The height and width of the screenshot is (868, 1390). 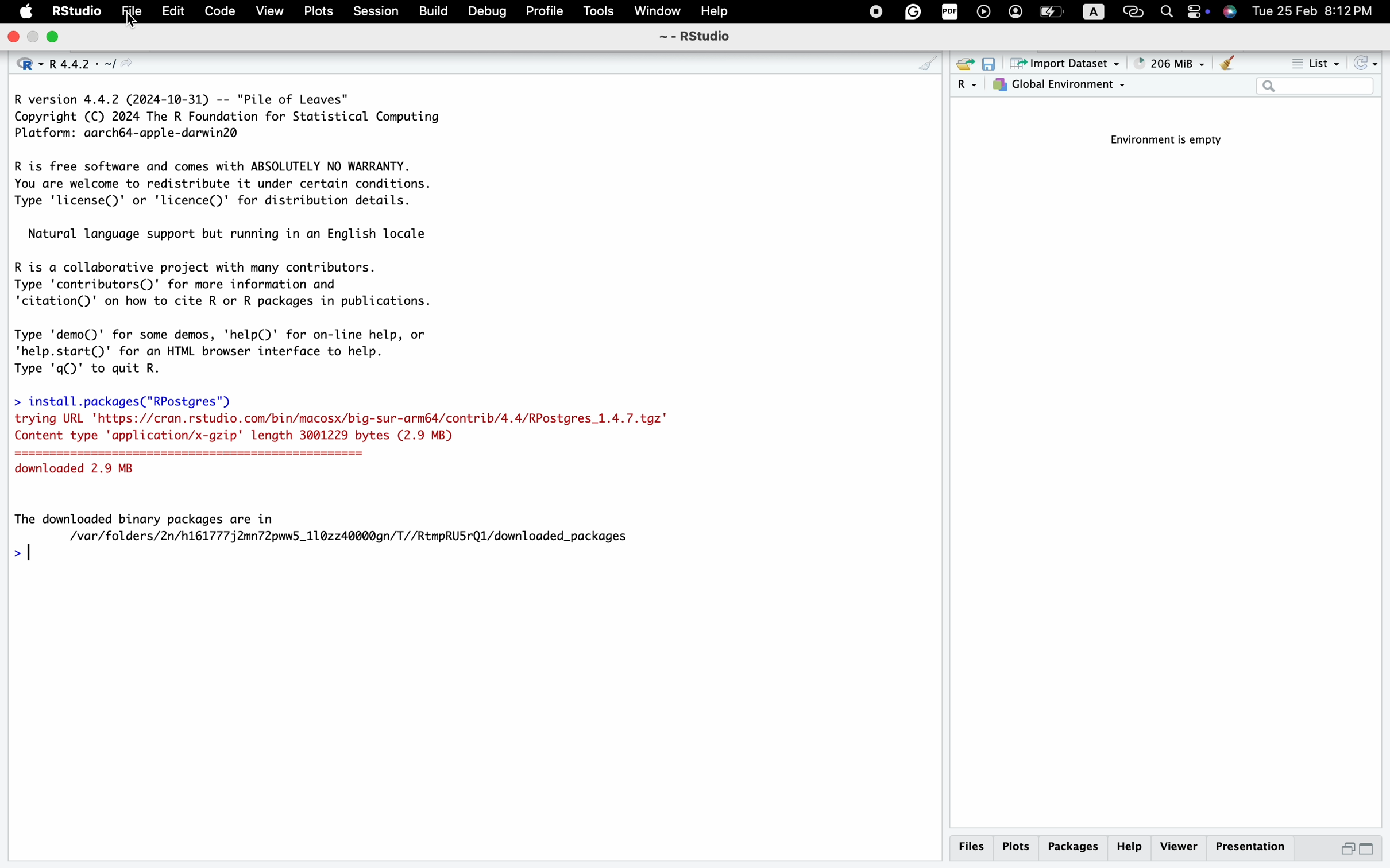 What do you see at coordinates (1050, 13) in the screenshot?
I see `battery charge` at bounding box center [1050, 13].